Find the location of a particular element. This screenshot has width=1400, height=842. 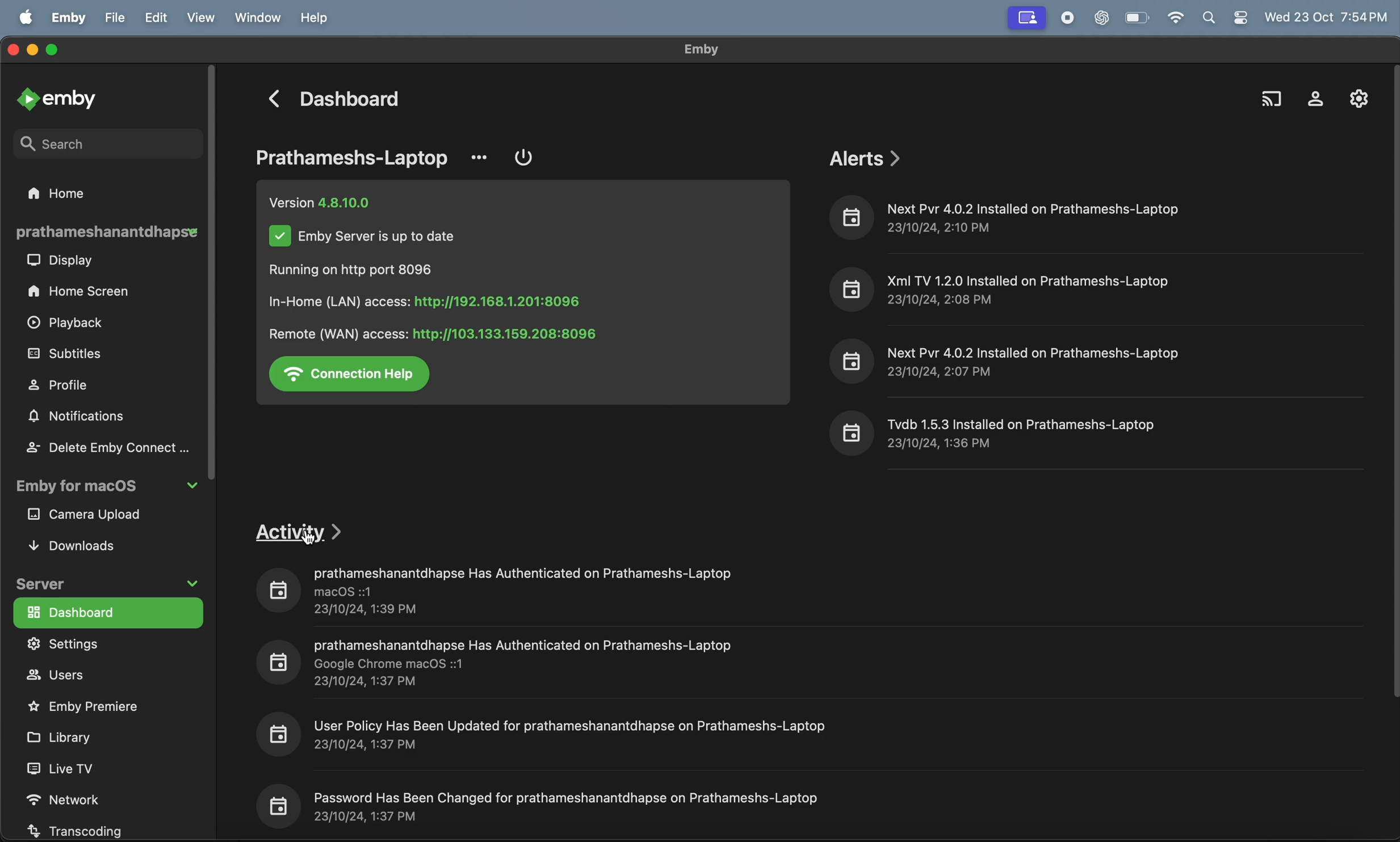

maximize is located at coordinates (58, 51).